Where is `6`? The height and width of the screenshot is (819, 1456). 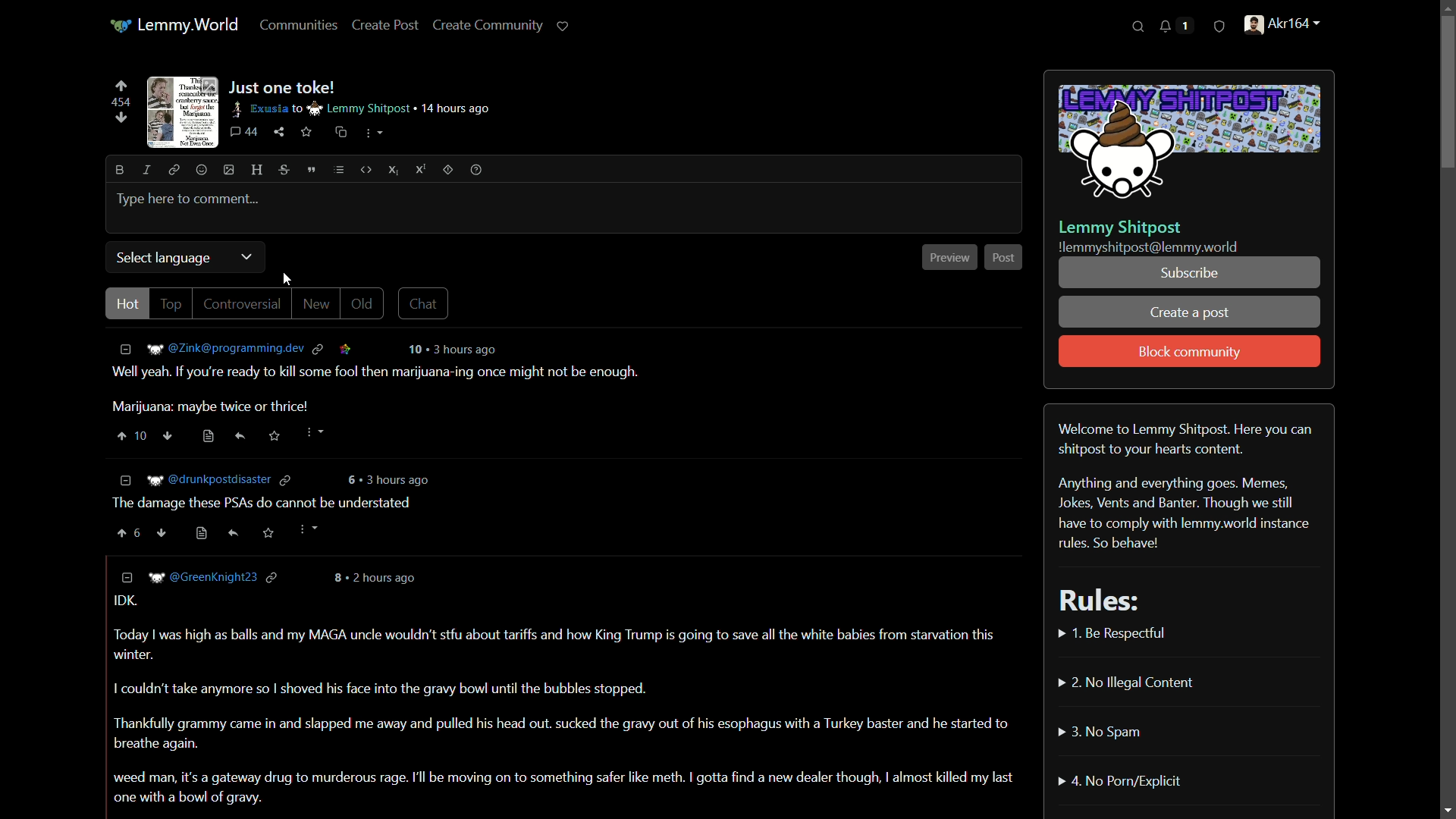 6 is located at coordinates (141, 532).